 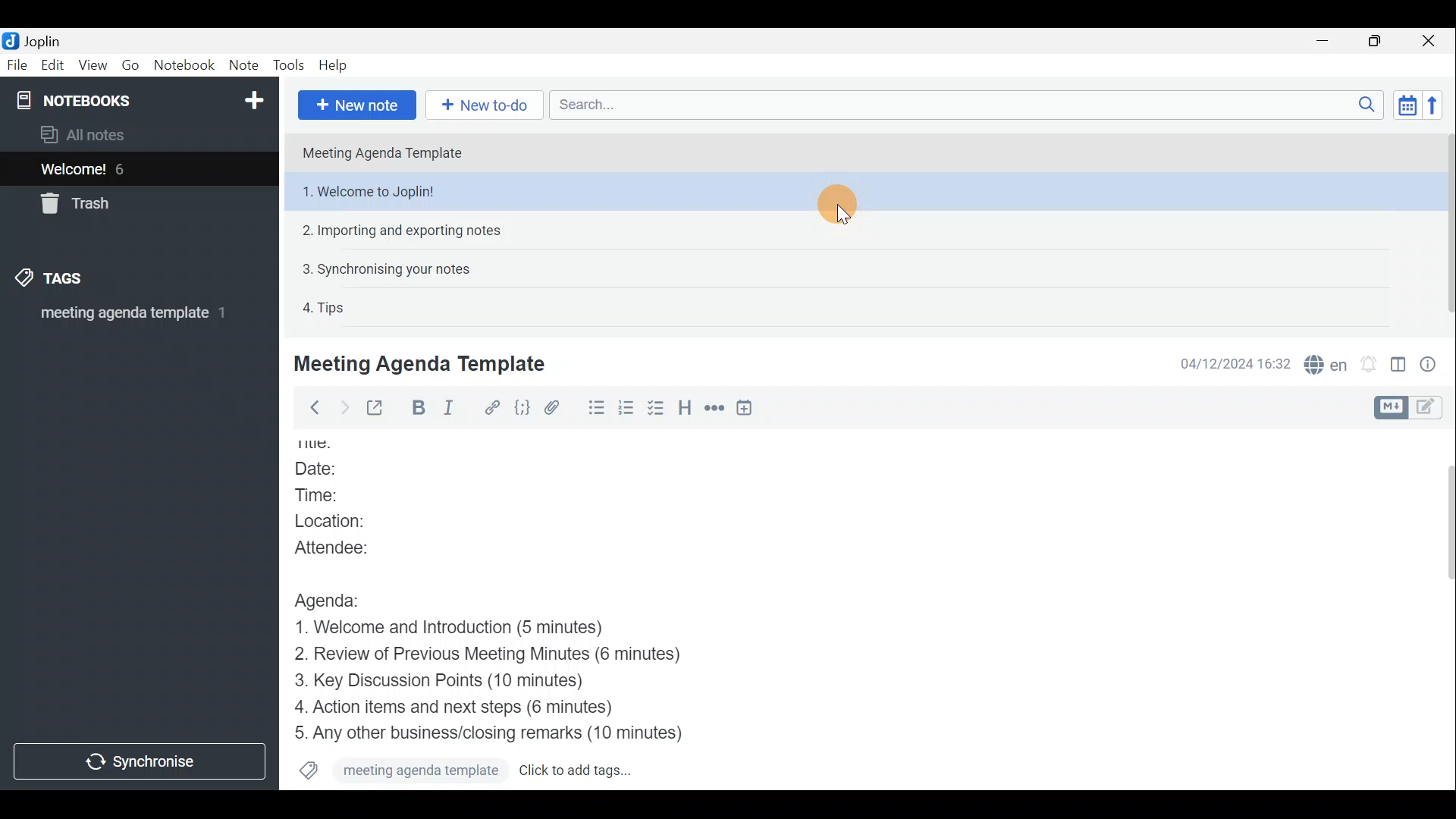 What do you see at coordinates (1404, 103) in the screenshot?
I see `Toggle sort order` at bounding box center [1404, 103].